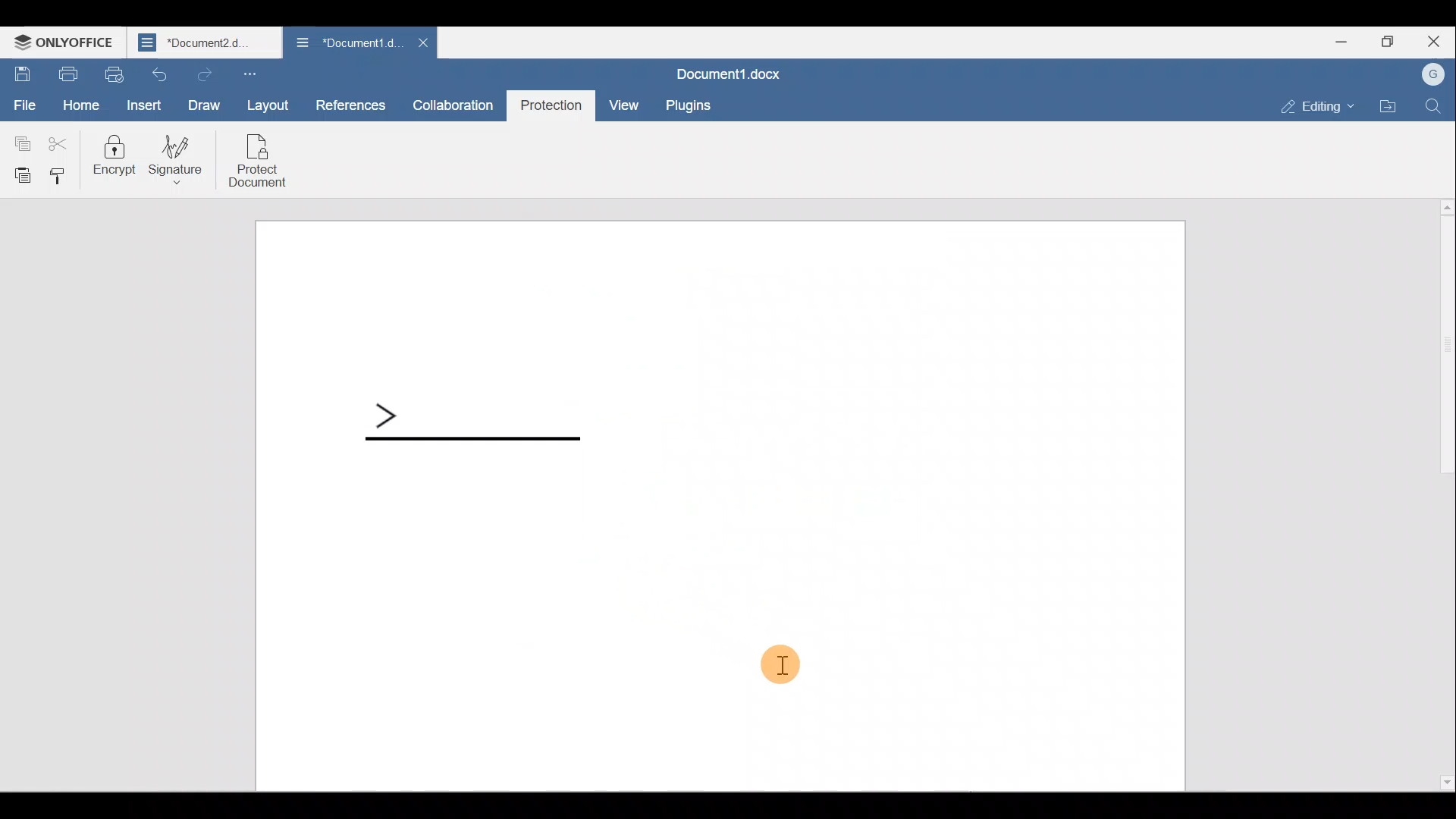 The width and height of the screenshot is (1456, 819). What do you see at coordinates (60, 140) in the screenshot?
I see `Cut` at bounding box center [60, 140].